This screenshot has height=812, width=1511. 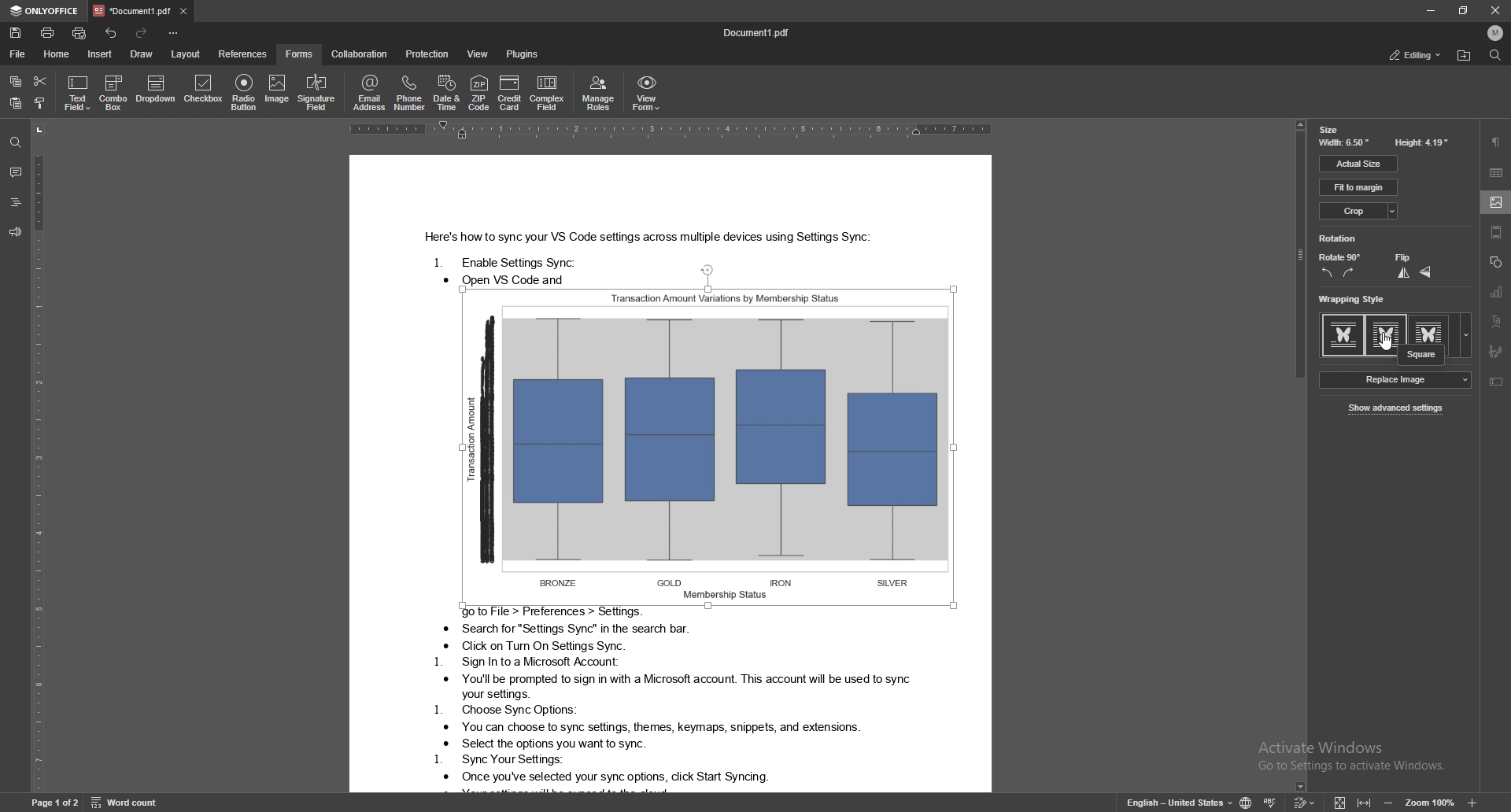 I want to click on find, so click(x=16, y=143).